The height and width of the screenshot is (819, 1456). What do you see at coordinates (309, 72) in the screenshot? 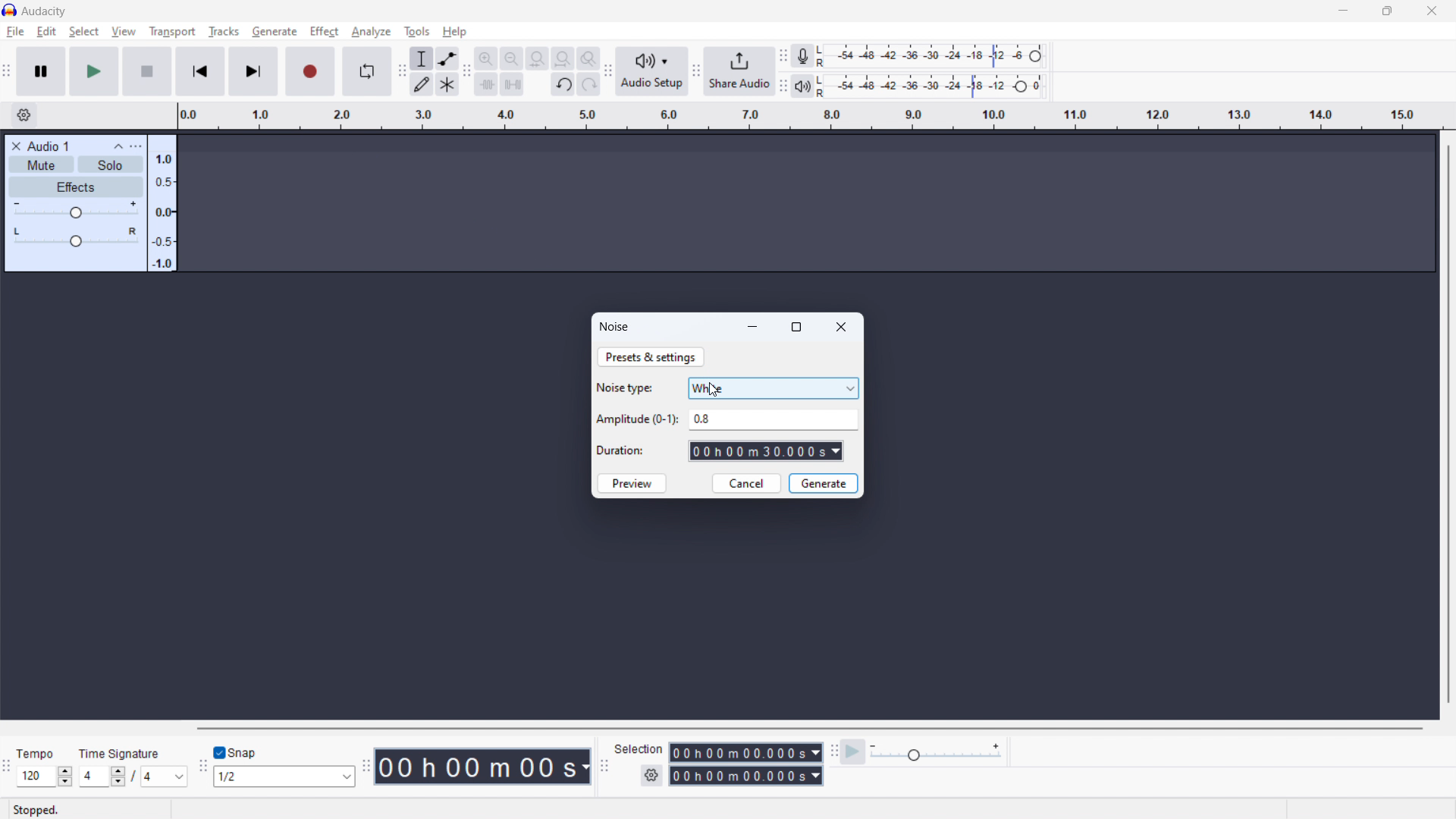
I see `record` at bounding box center [309, 72].